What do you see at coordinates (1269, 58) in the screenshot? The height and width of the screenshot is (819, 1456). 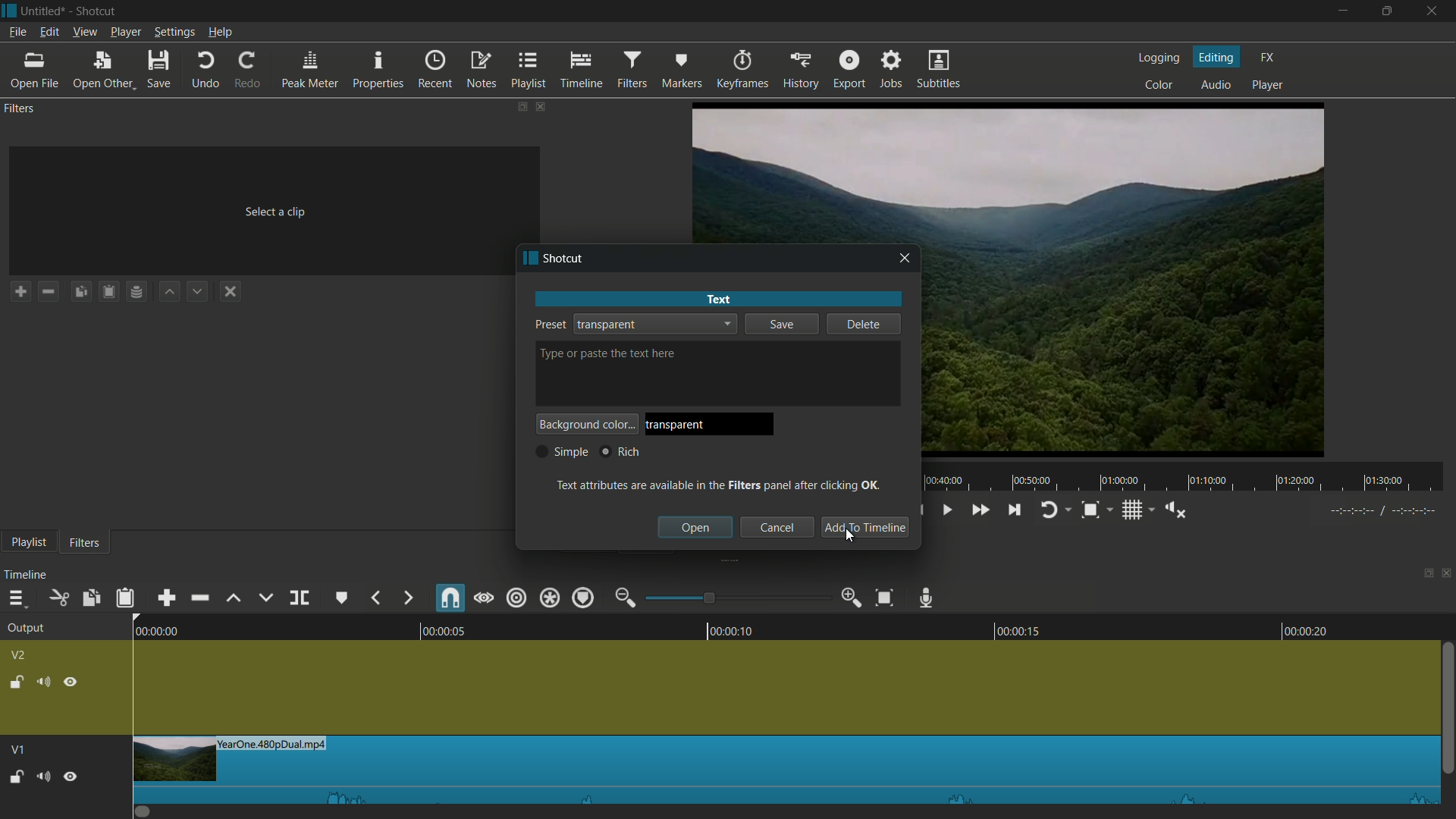 I see `fx` at bounding box center [1269, 58].